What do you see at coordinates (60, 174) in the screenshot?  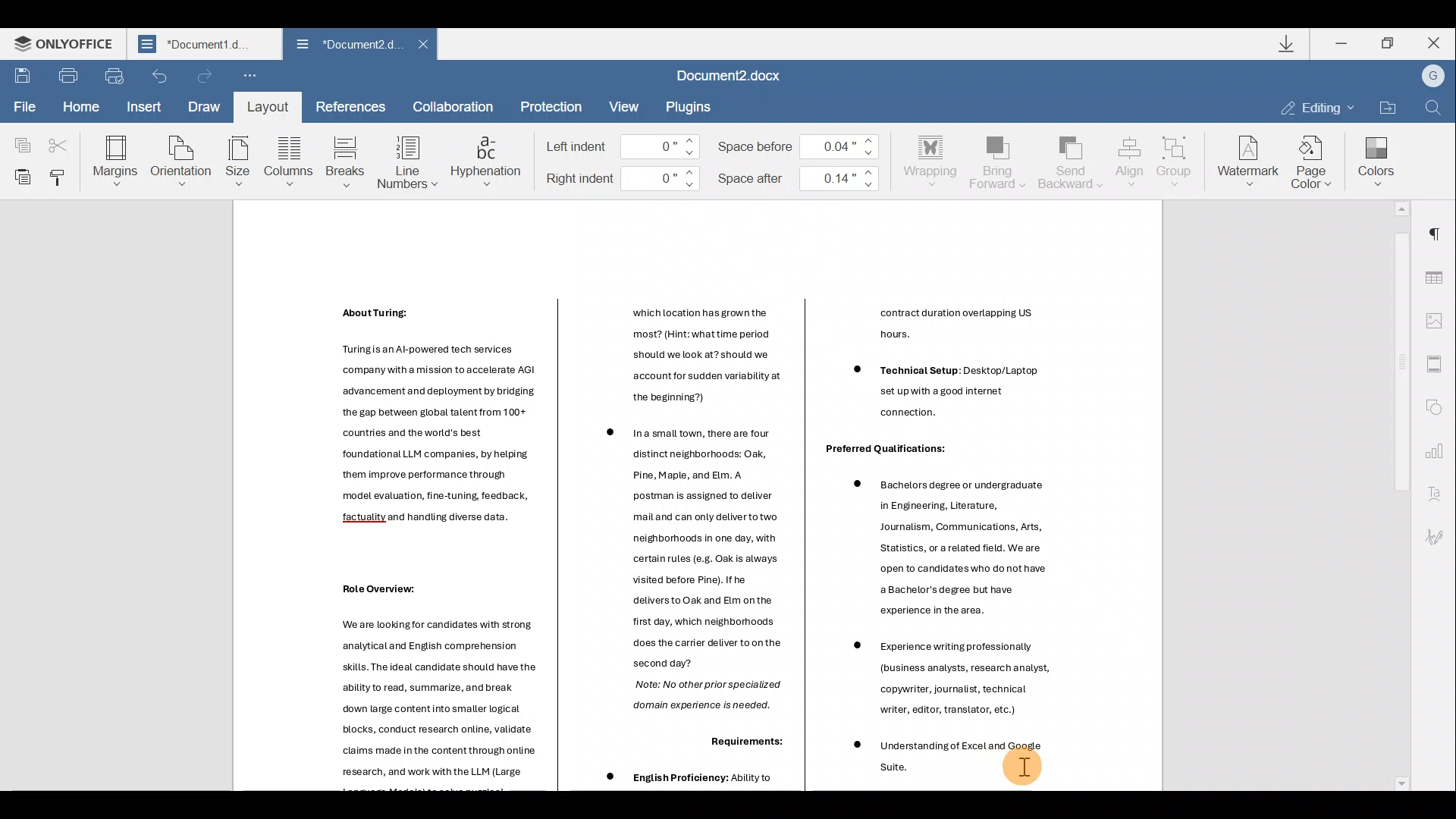 I see `Copy style` at bounding box center [60, 174].